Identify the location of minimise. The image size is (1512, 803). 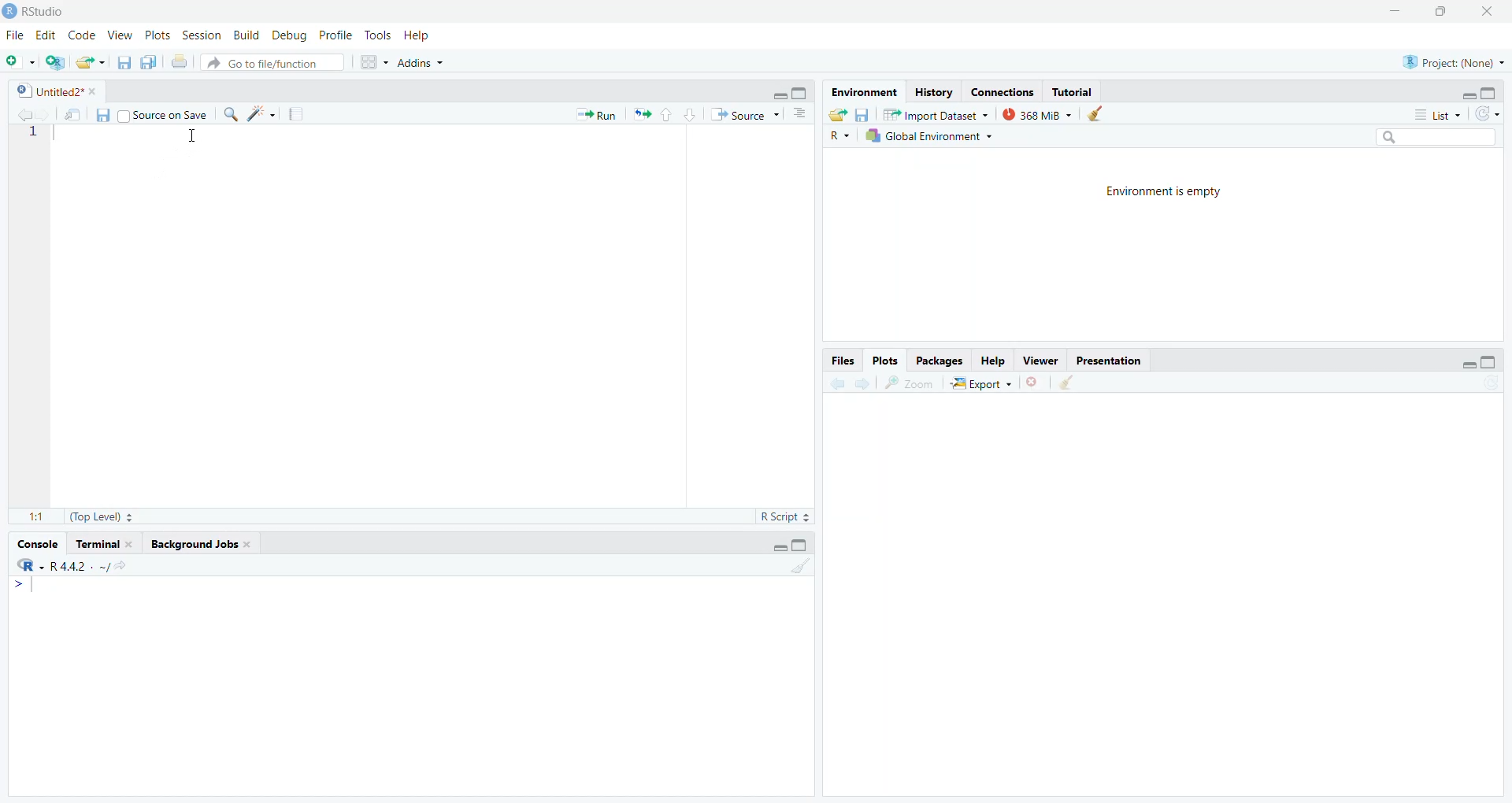
(1467, 364).